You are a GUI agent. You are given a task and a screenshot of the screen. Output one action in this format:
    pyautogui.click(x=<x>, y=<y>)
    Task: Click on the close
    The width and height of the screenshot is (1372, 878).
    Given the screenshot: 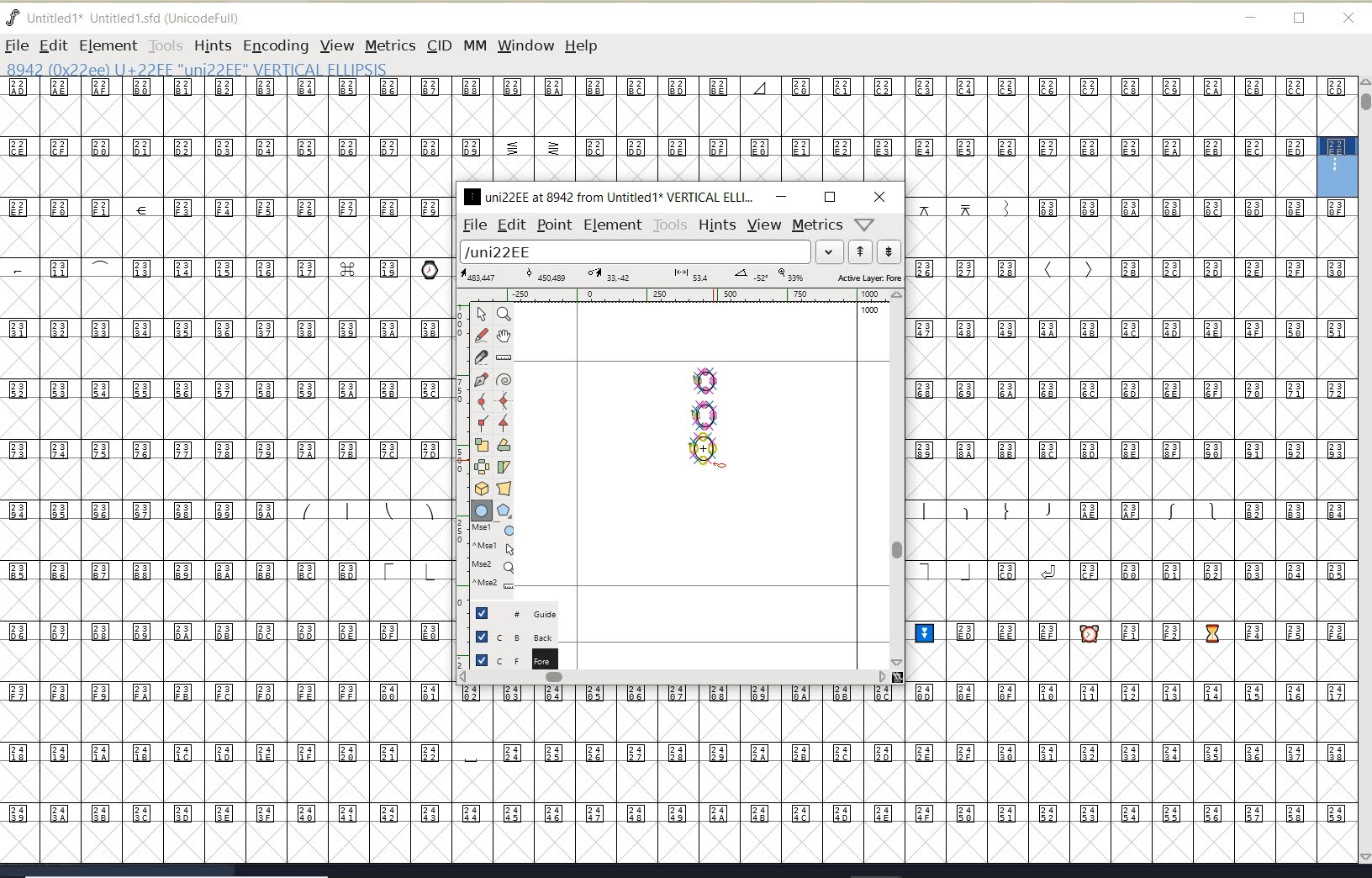 What is the action you would take?
    pyautogui.click(x=1348, y=19)
    